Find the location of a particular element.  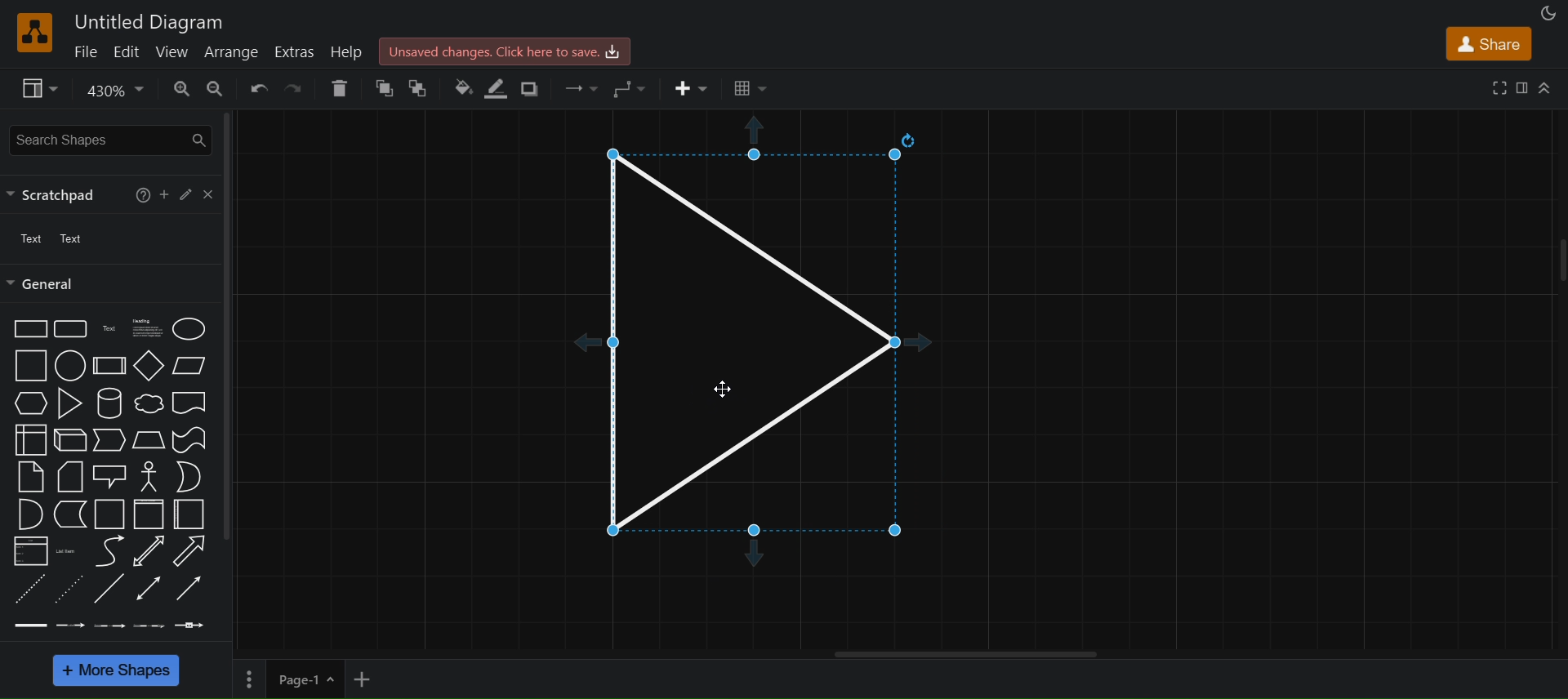

shadow is located at coordinates (535, 89).